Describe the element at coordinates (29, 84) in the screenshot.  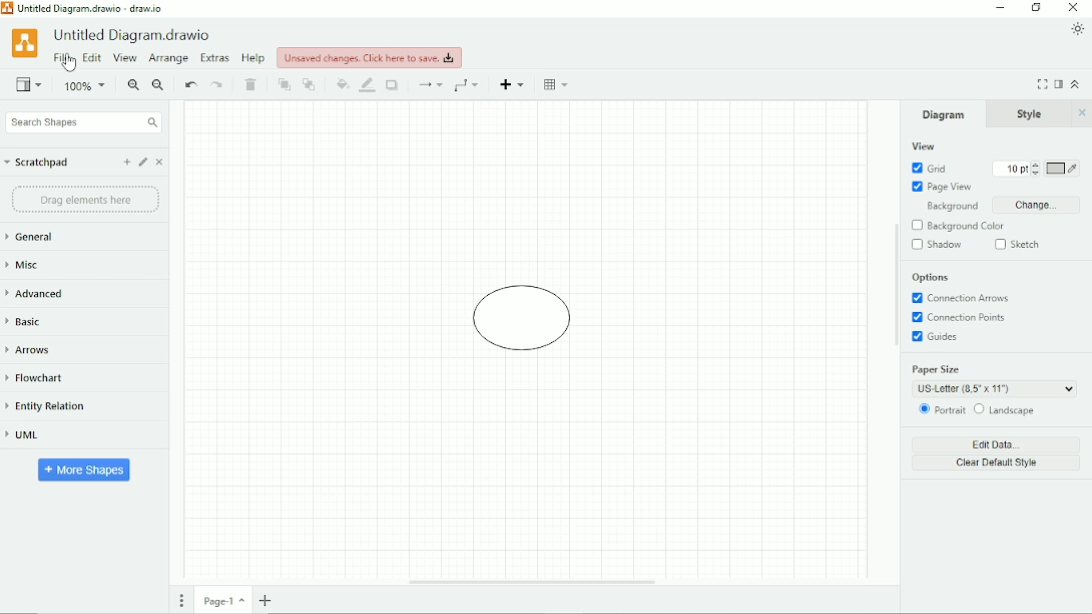
I see `View` at that location.